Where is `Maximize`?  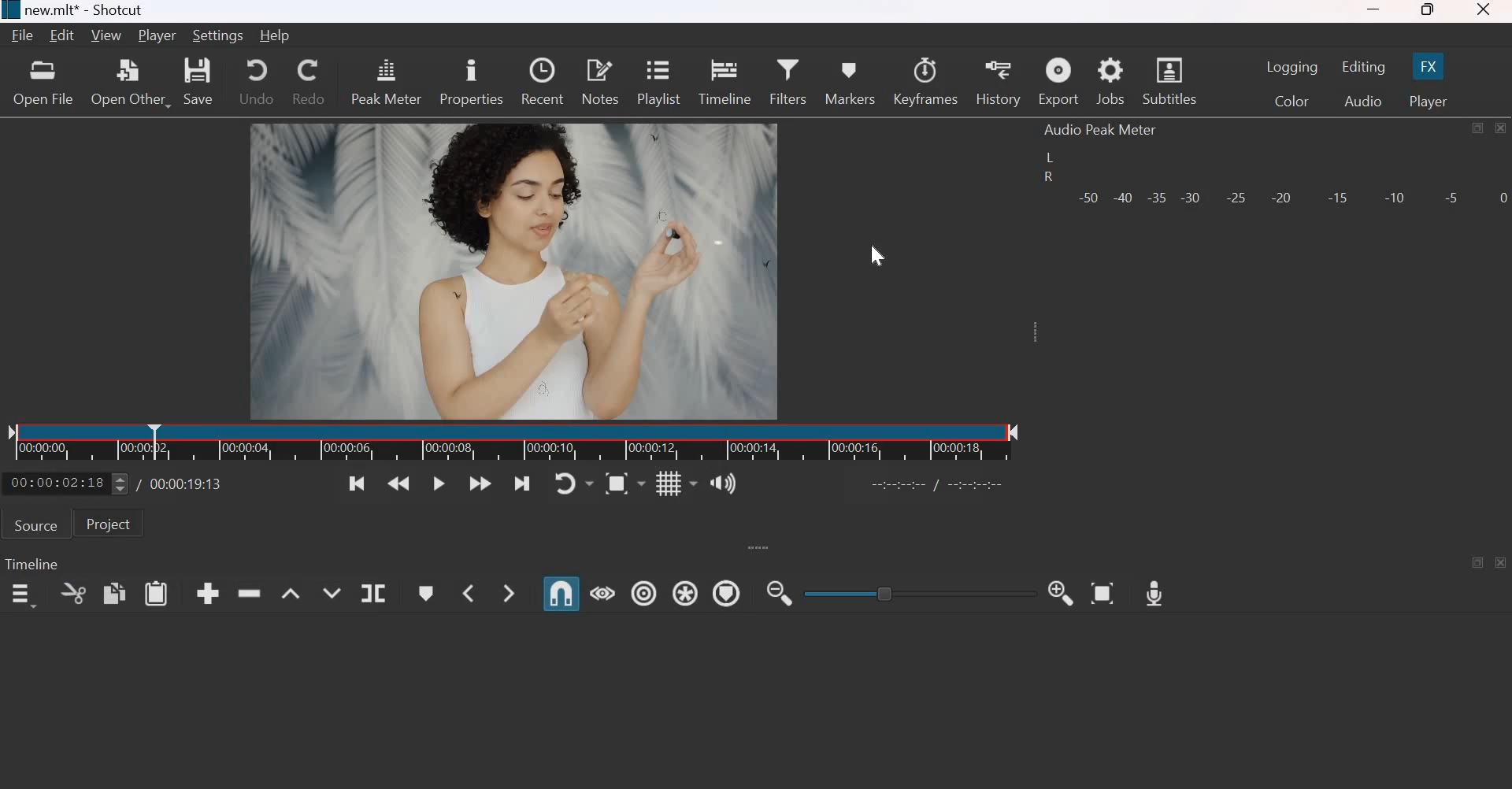
Maximize is located at coordinates (1429, 11).